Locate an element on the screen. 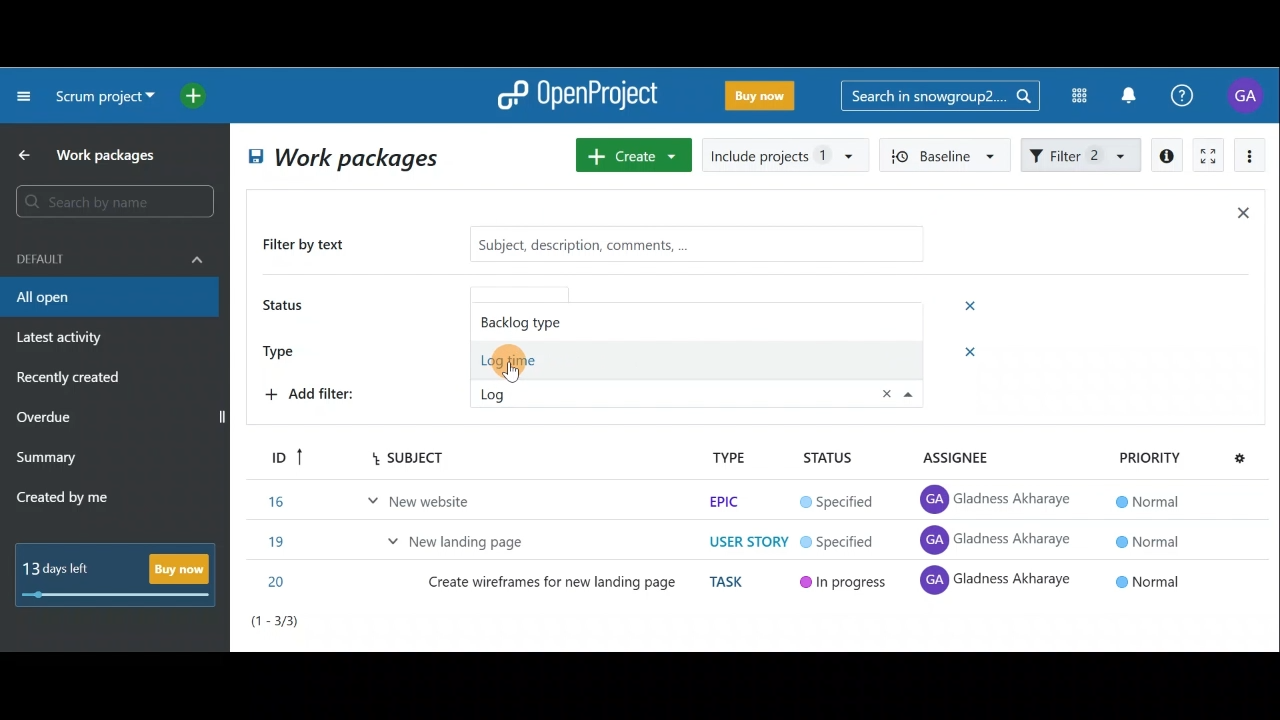  in progress is located at coordinates (844, 585).